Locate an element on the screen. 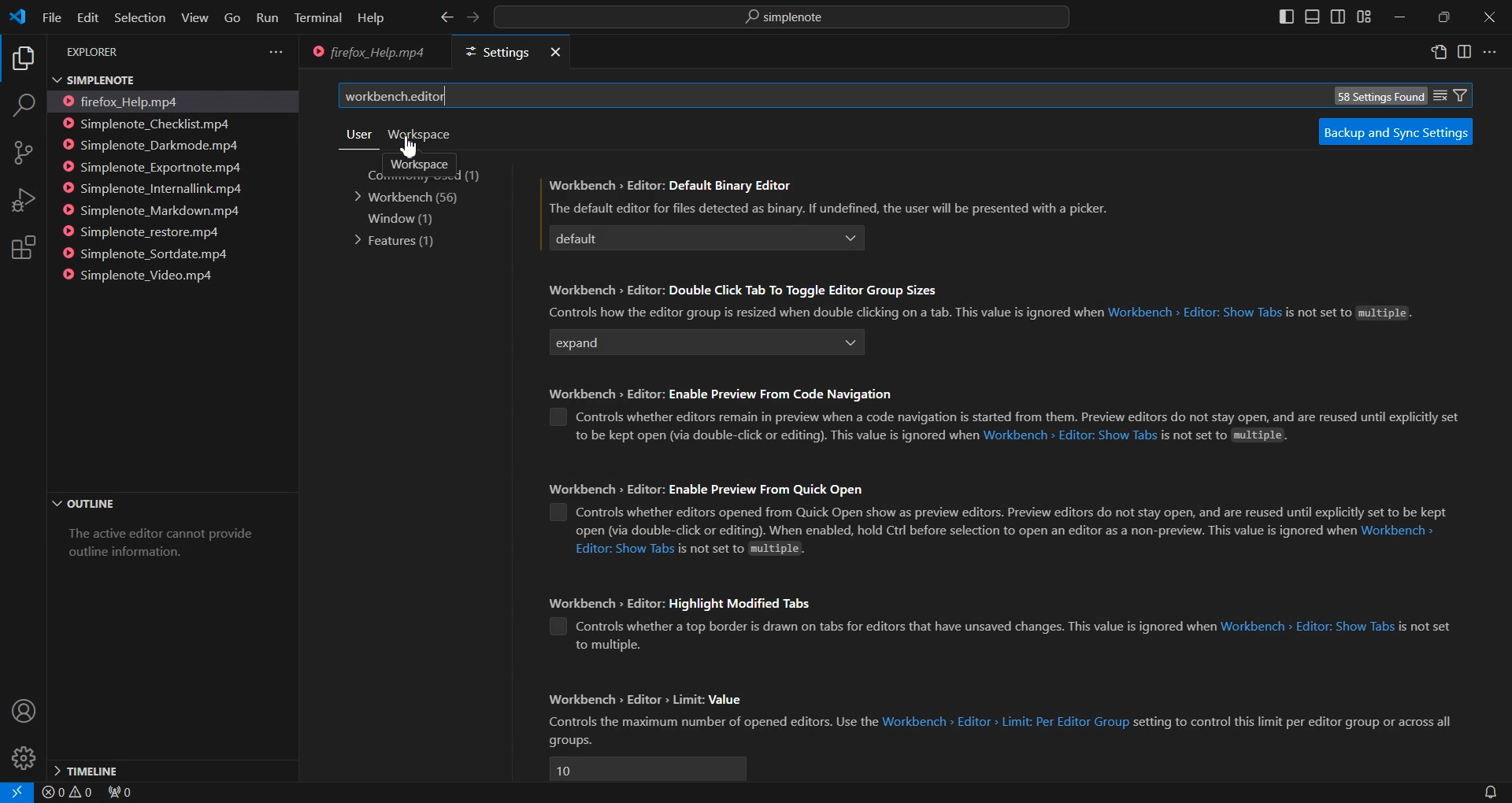 The image size is (1512, 803). simplenote is located at coordinates (792, 19).